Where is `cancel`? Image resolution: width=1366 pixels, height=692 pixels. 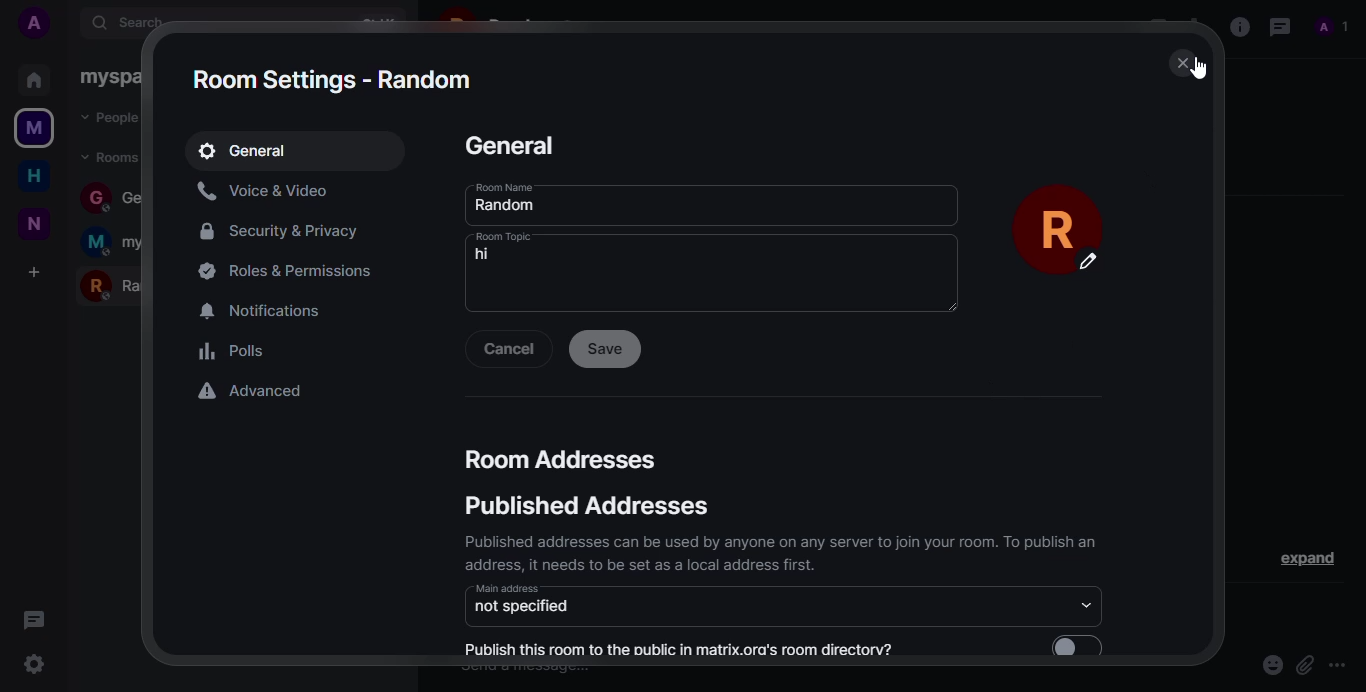 cancel is located at coordinates (510, 348).